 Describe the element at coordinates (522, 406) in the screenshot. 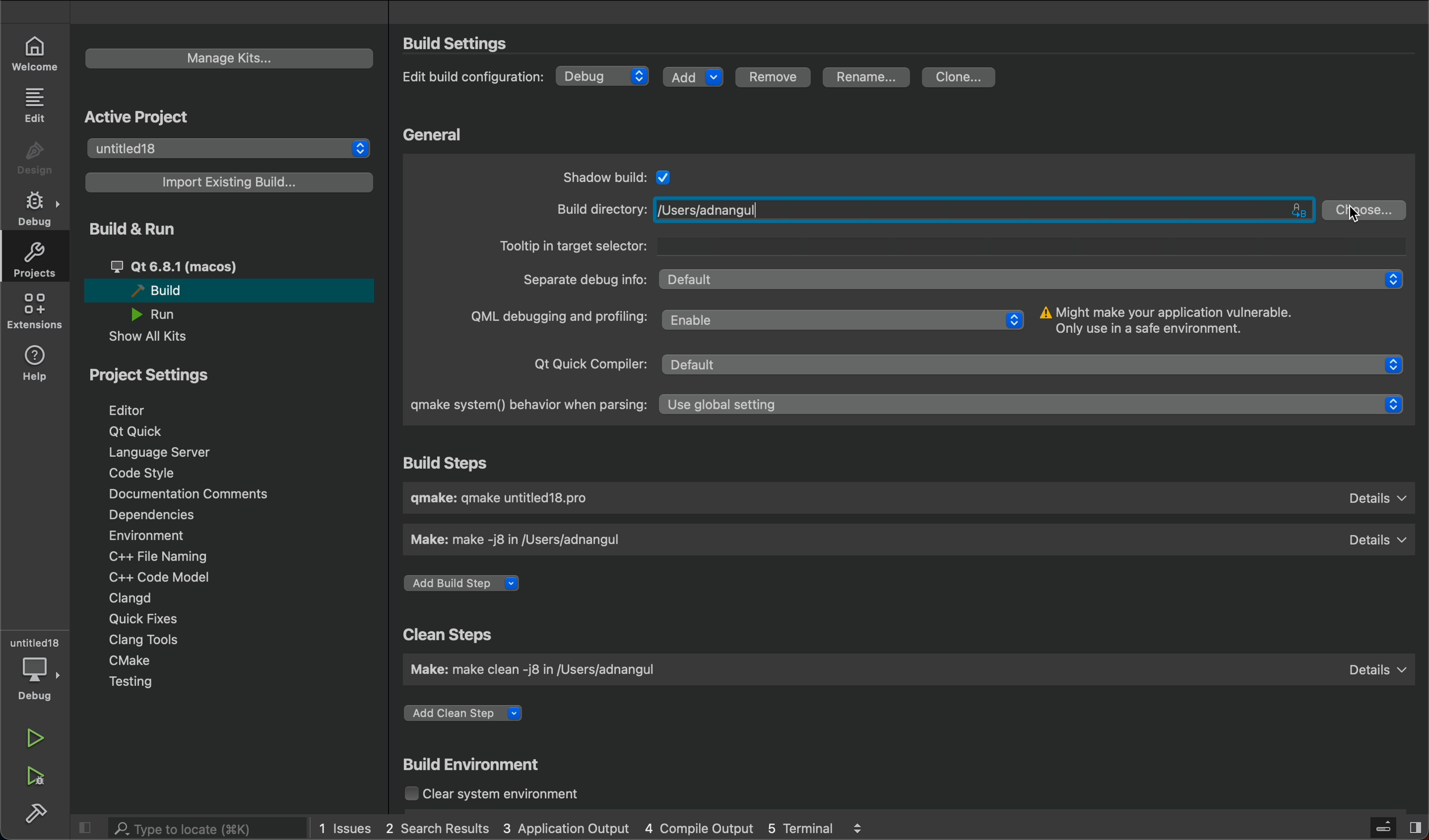

I see `gmake system() behavior when parsing:` at that location.